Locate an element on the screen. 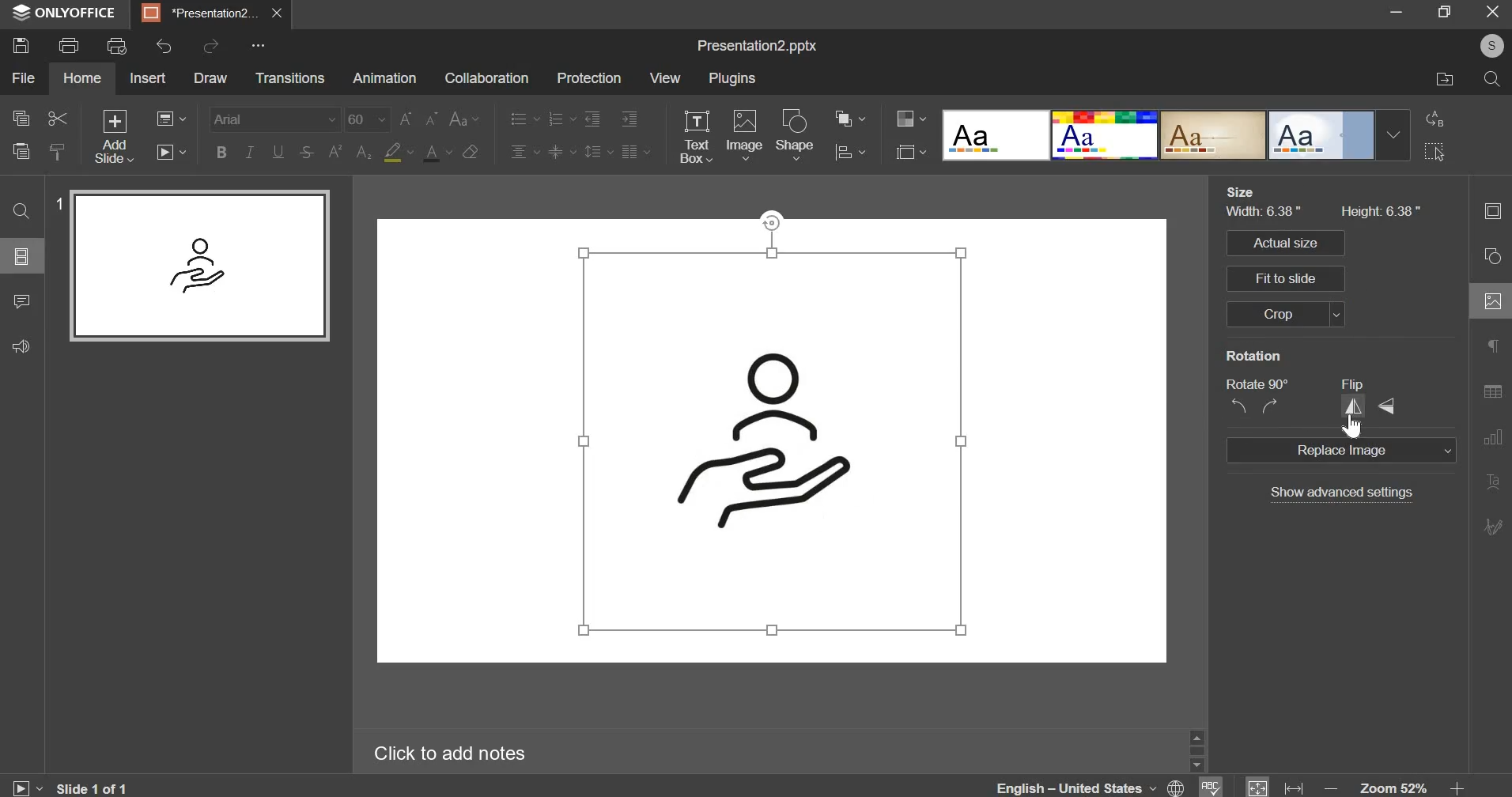 The height and width of the screenshot is (797, 1512). spelling is located at coordinates (1211, 787).